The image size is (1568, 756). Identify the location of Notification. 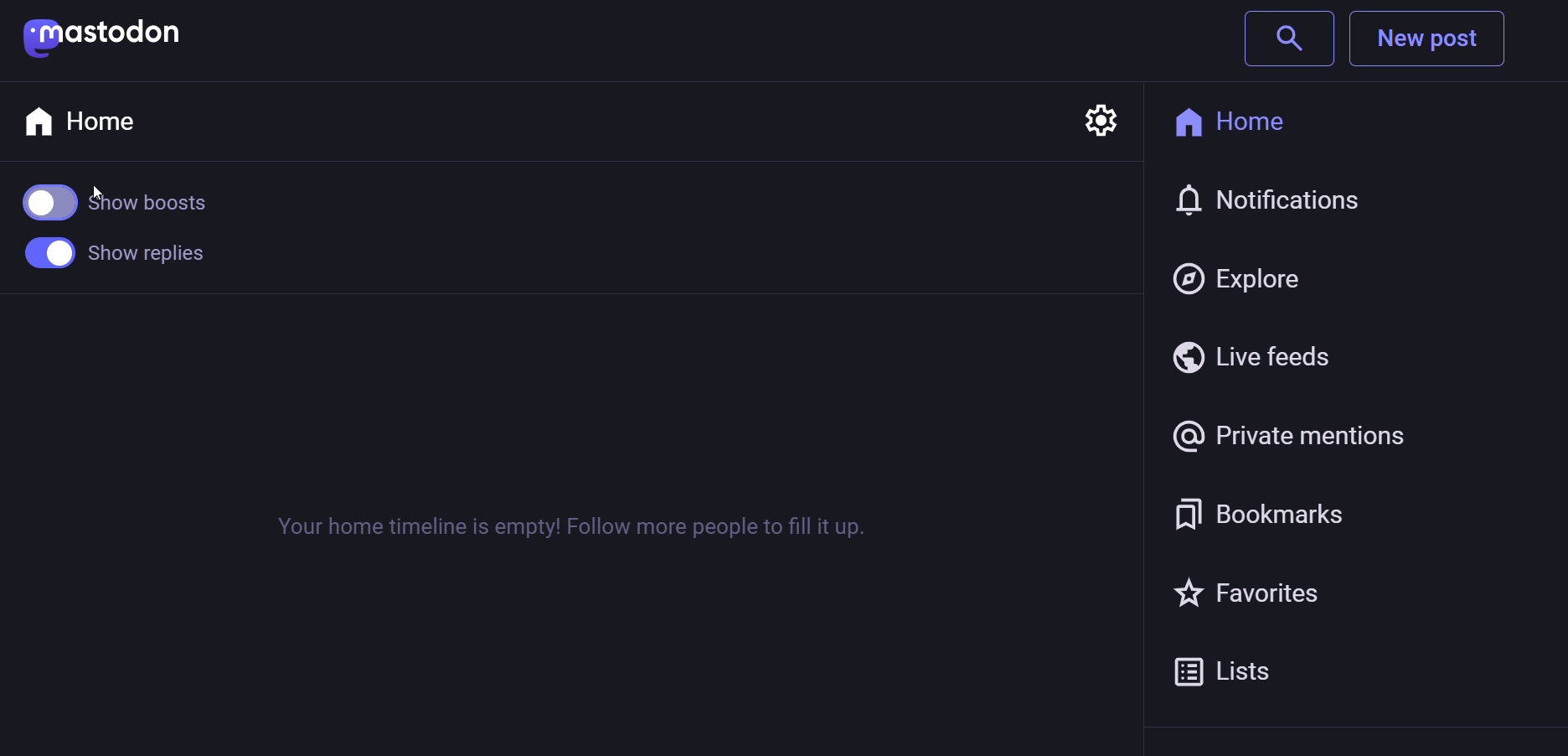
(1265, 199).